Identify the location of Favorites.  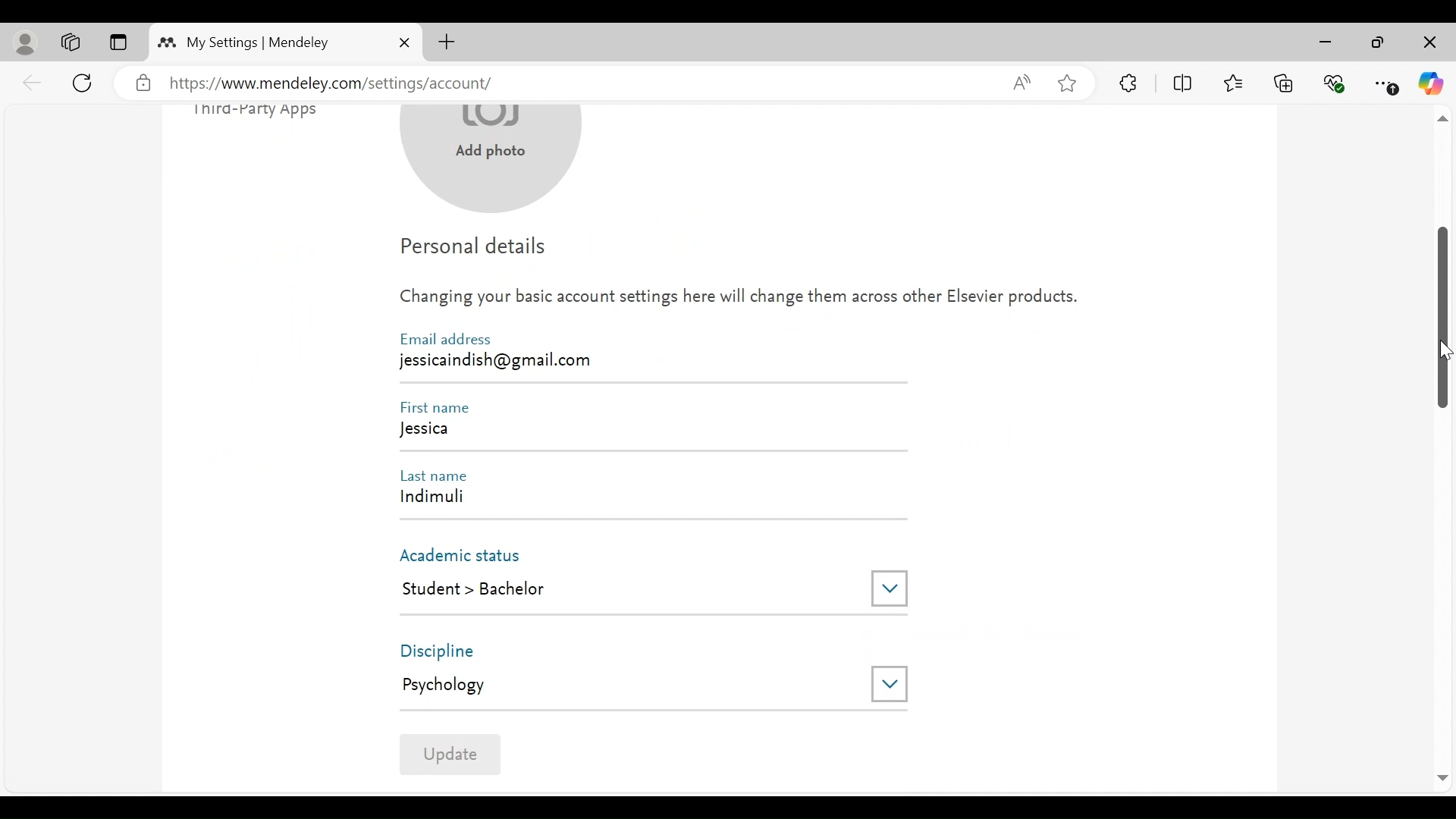
(1232, 81).